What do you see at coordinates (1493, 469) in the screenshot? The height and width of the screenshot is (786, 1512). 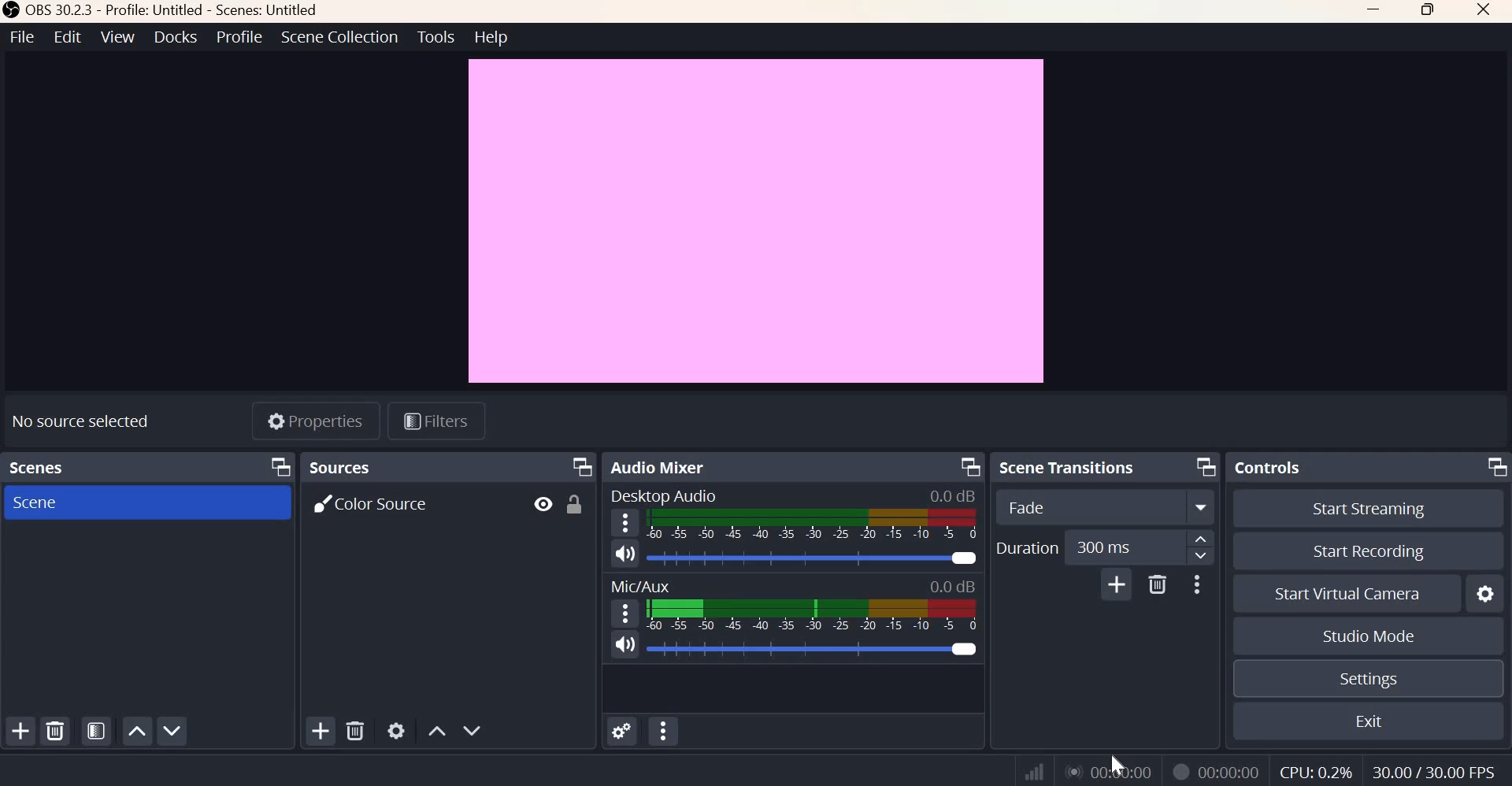 I see `Dock Options icon` at bounding box center [1493, 469].